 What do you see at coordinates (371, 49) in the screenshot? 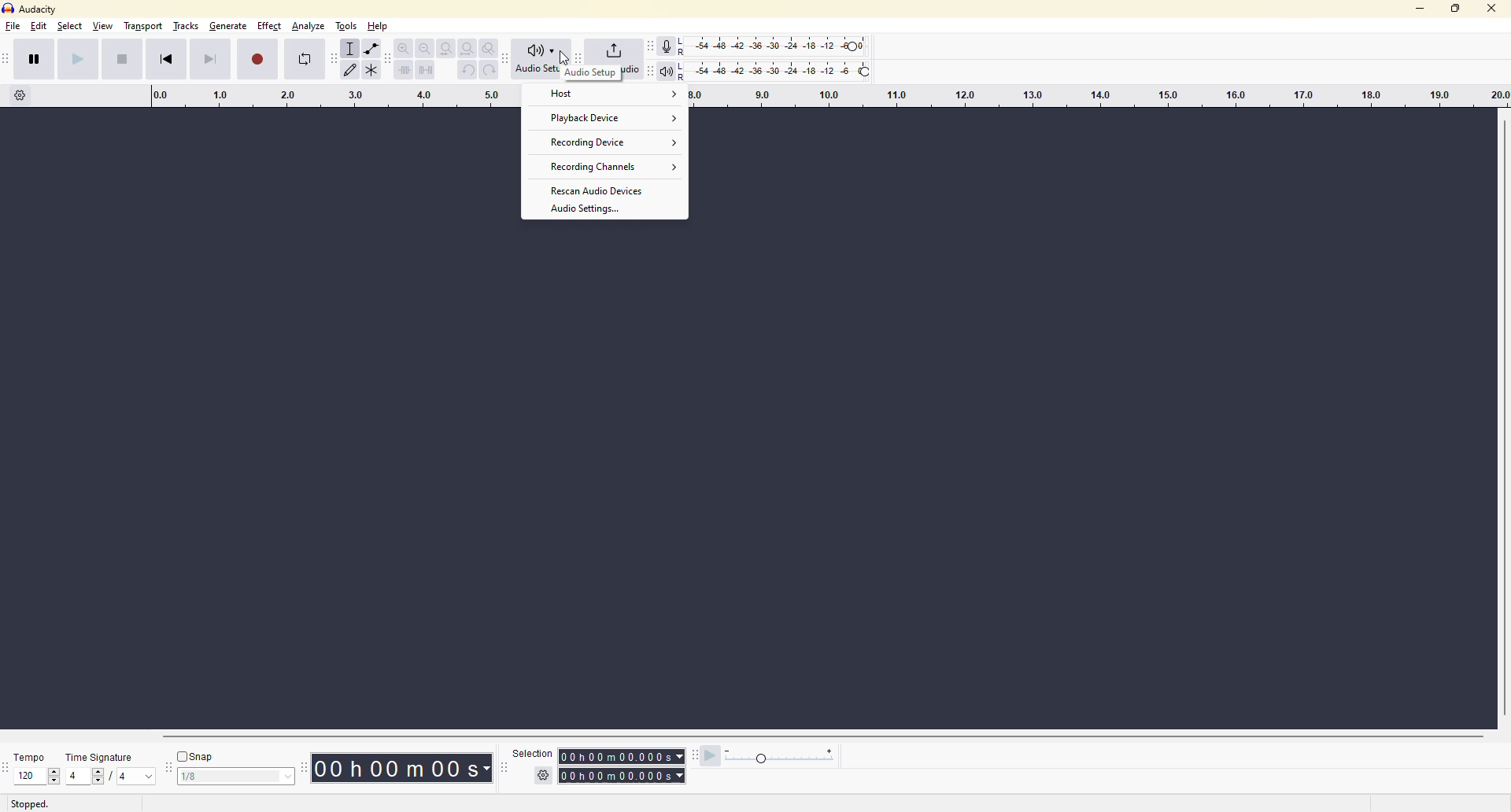
I see `envelope tool` at bounding box center [371, 49].